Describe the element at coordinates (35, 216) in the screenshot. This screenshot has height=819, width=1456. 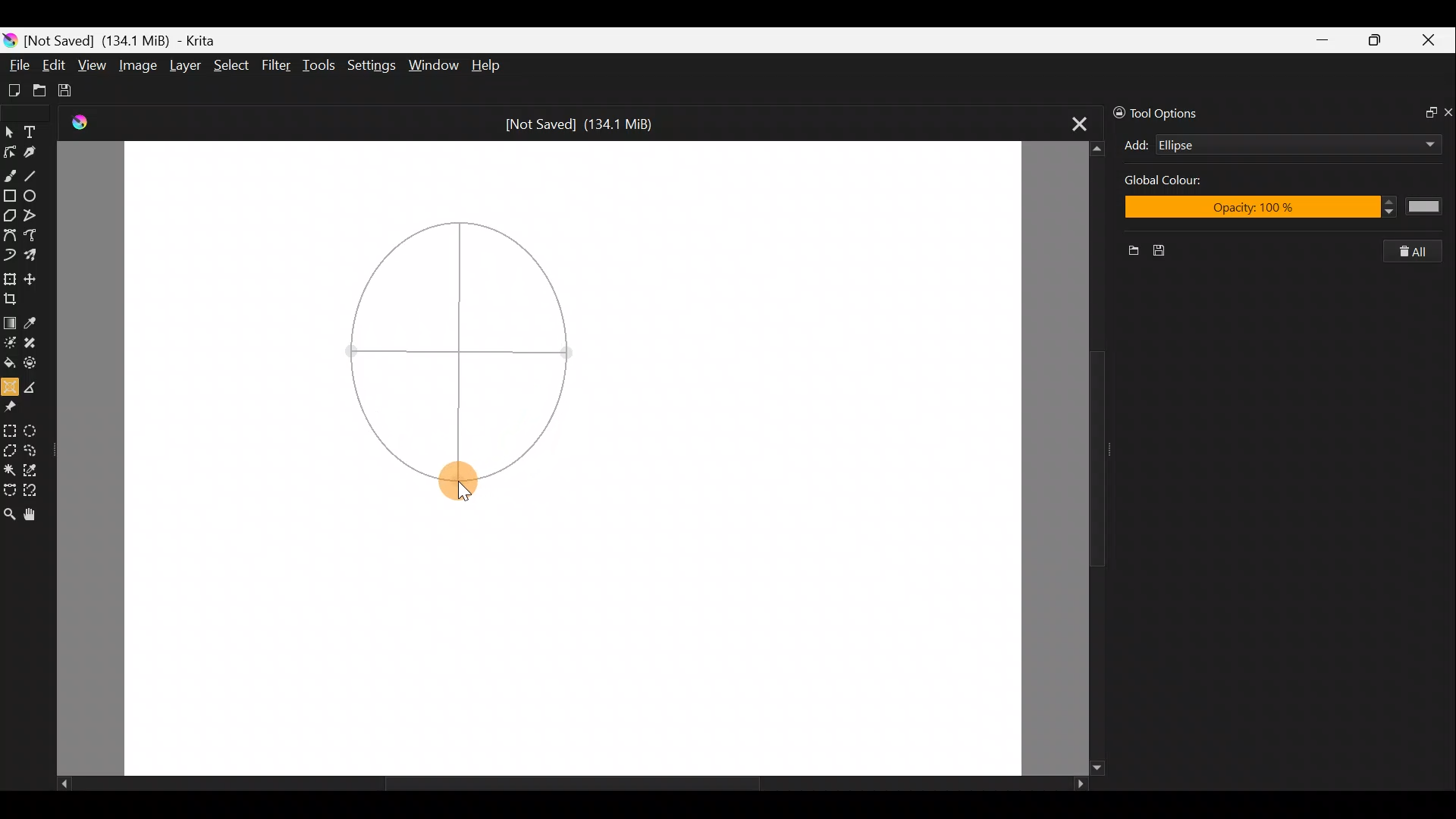
I see `Polyline` at that location.